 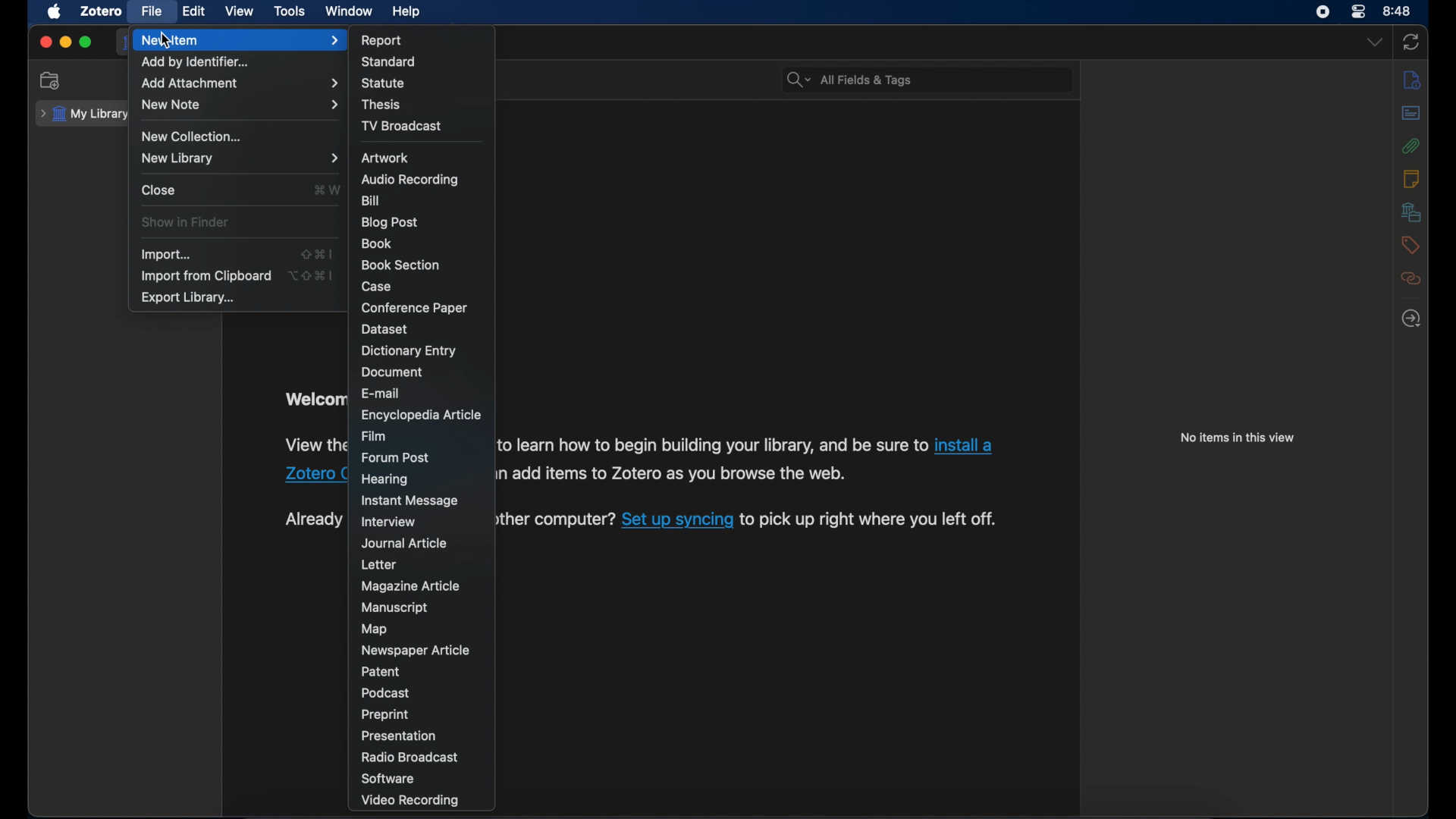 I want to click on patent, so click(x=381, y=672).